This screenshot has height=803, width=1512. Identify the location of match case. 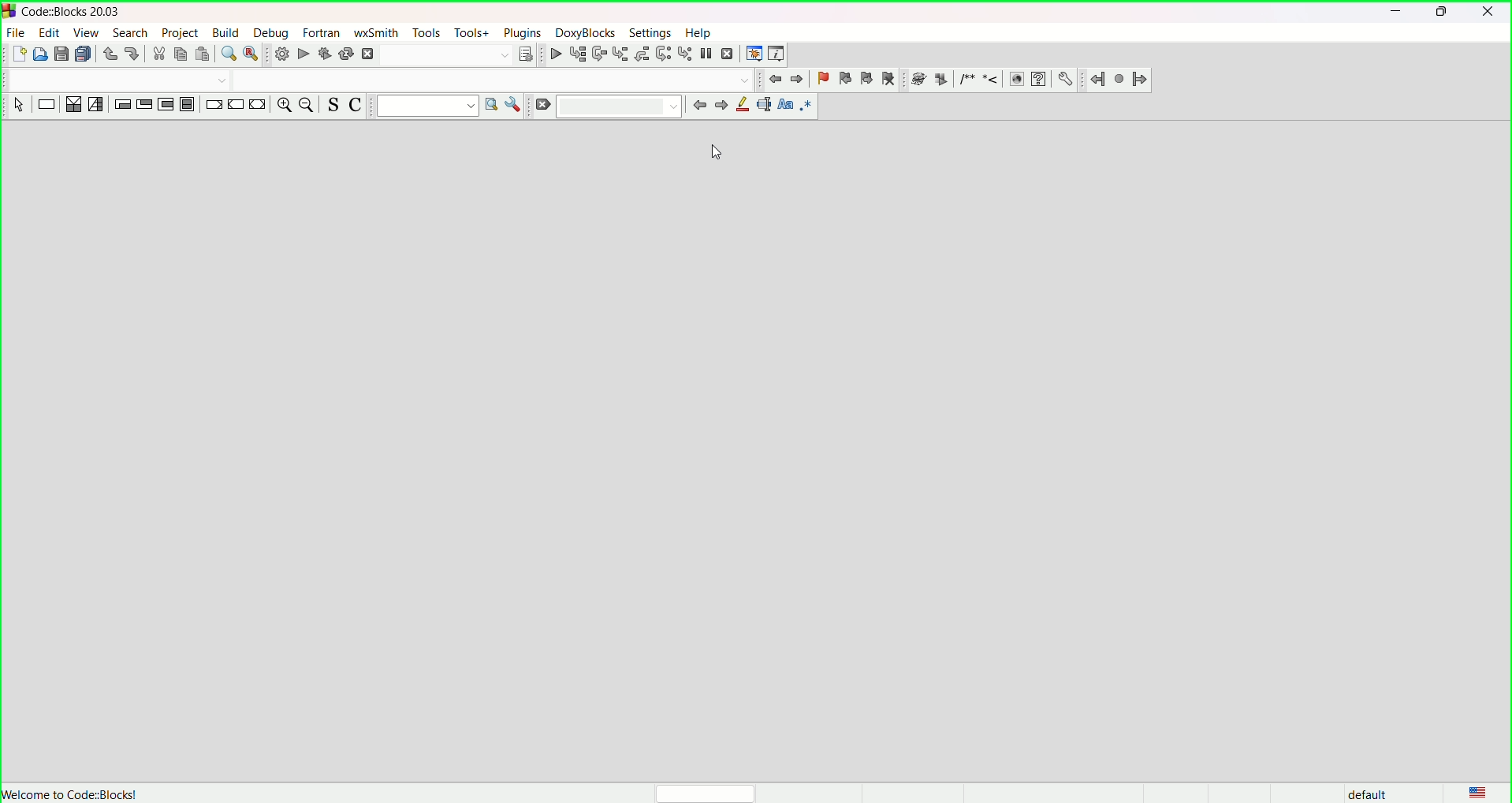
(787, 104).